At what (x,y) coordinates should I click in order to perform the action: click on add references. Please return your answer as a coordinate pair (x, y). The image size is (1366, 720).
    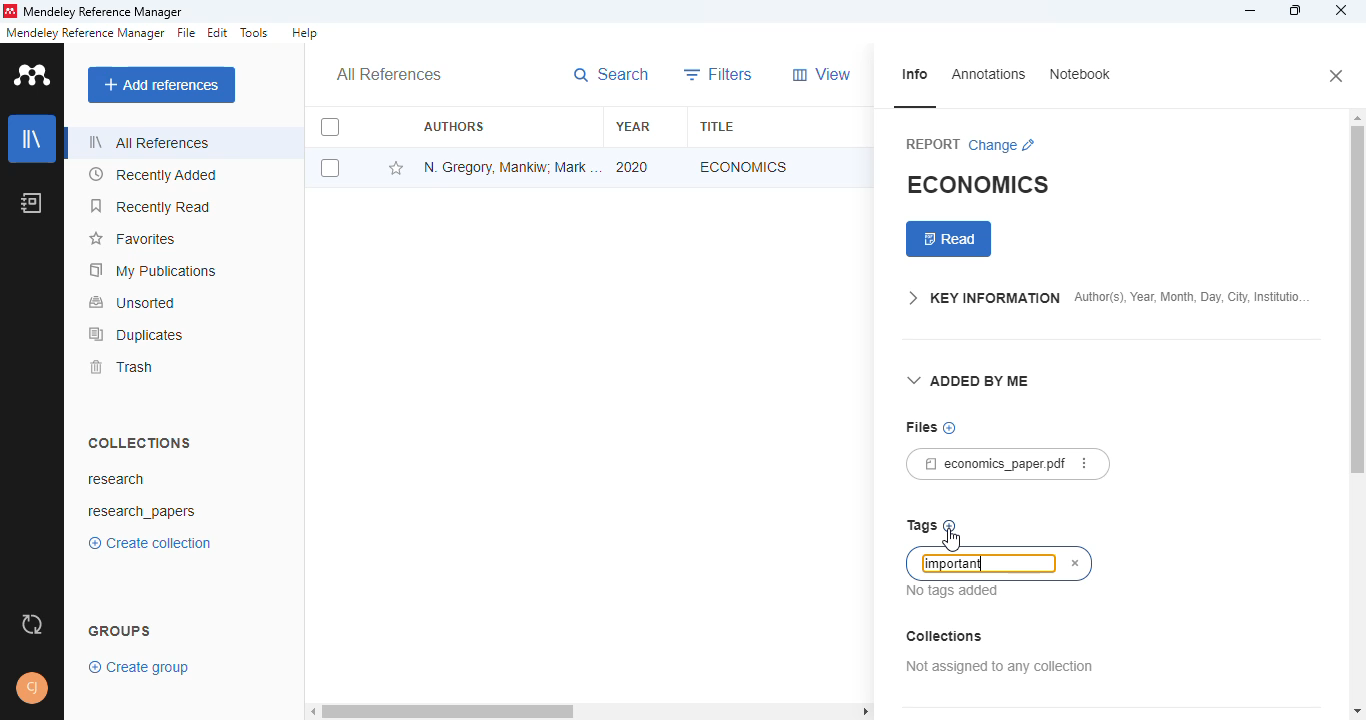
    Looking at the image, I should click on (162, 84).